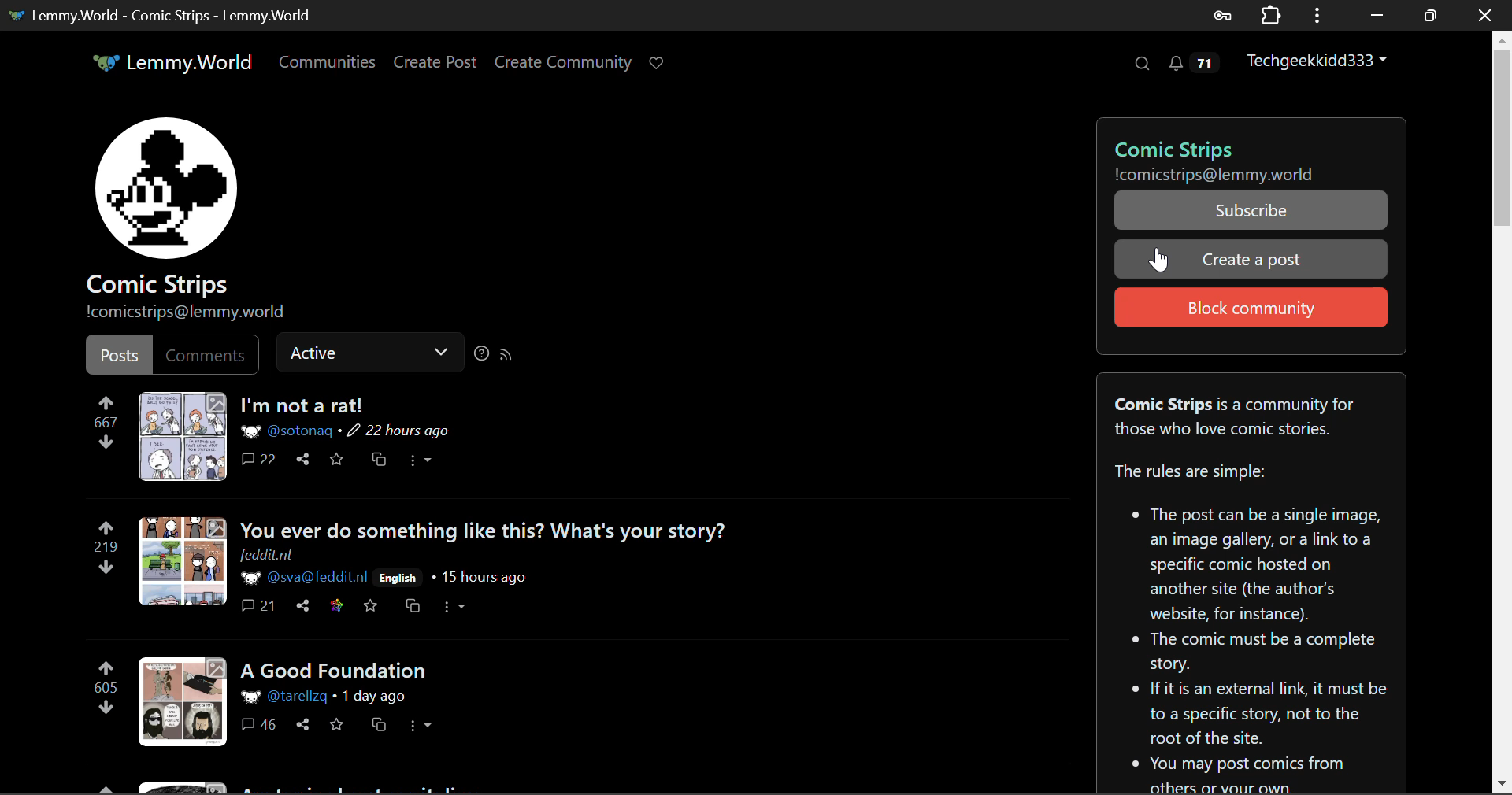 The width and height of the screenshot is (1512, 795). Describe the element at coordinates (335, 457) in the screenshot. I see `Save` at that location.